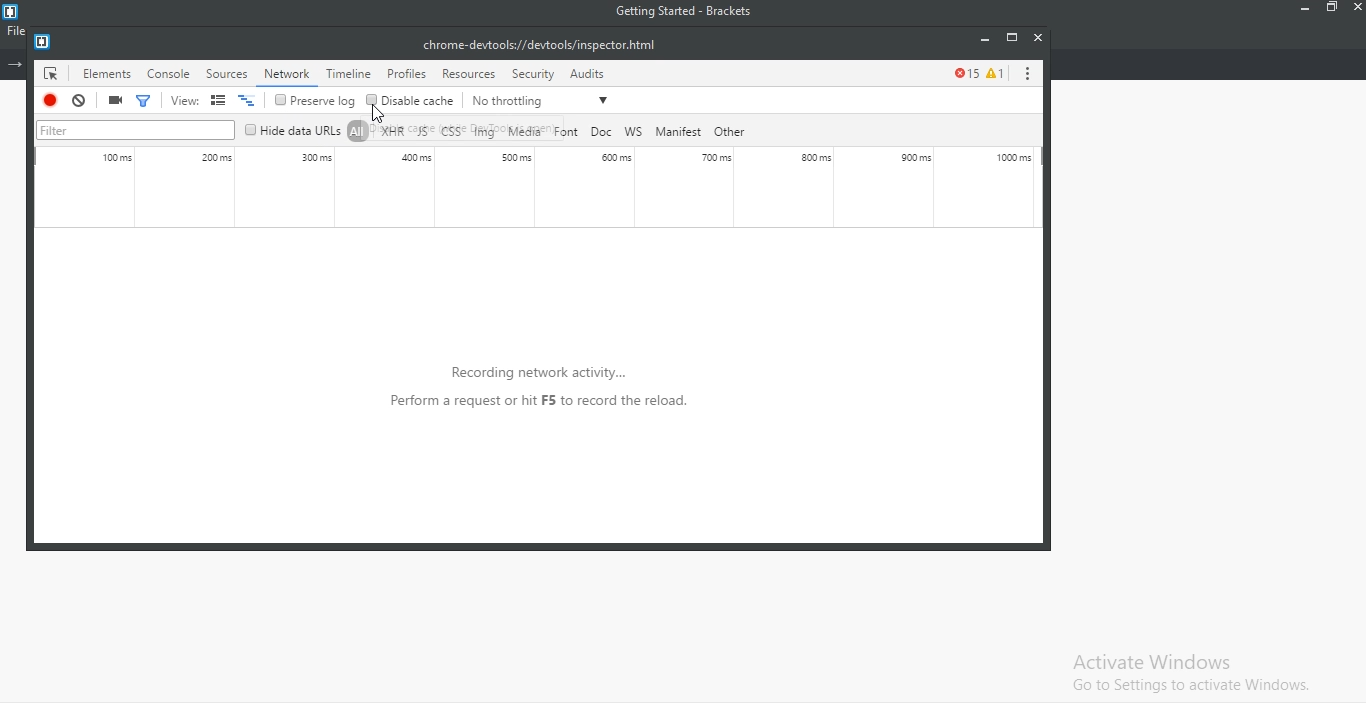  What do you see at coordinates (982, 39) in the screenshot?
I see `minimise` at bounding box center [982, 39].